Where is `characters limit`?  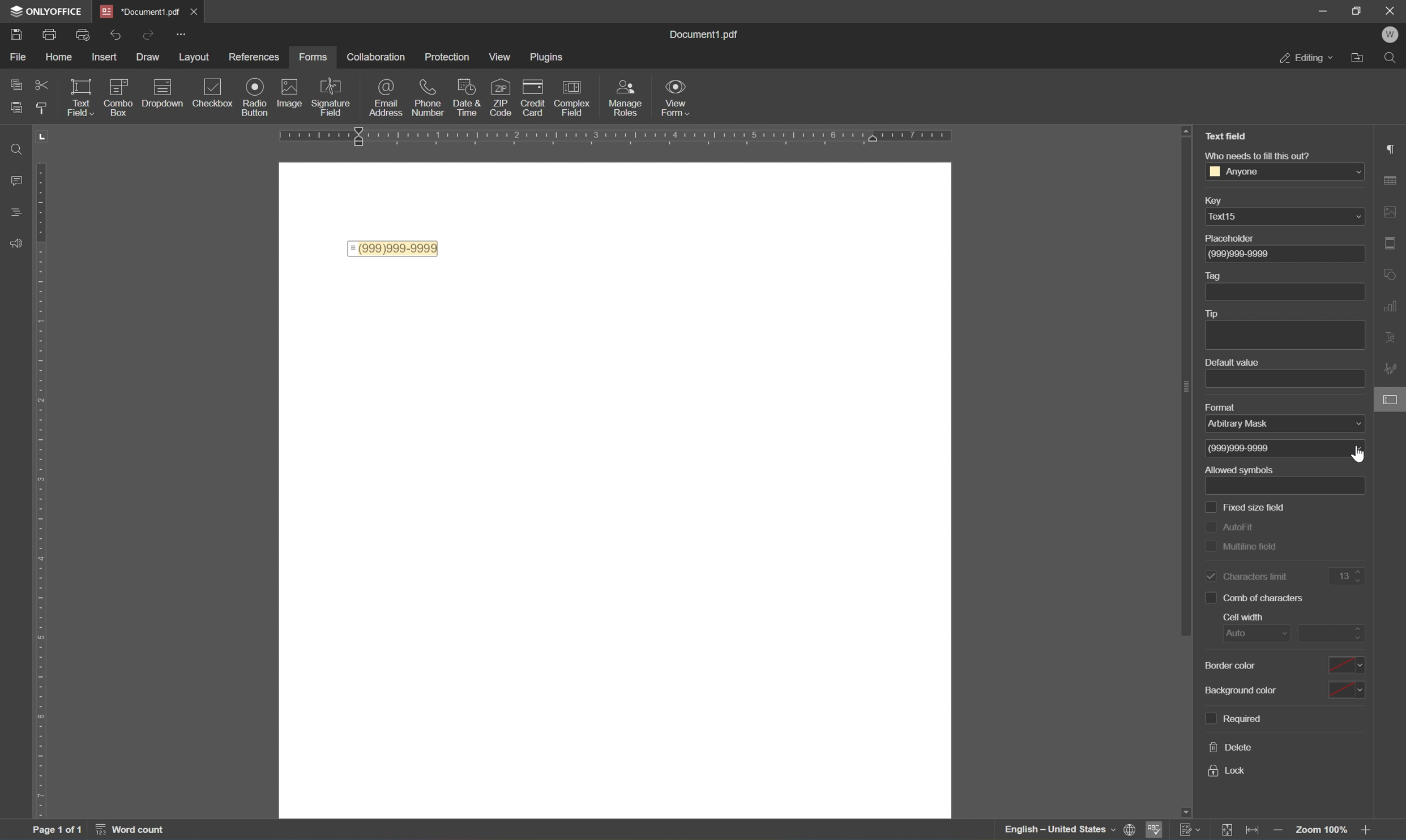
characters limit is located at coordinates (1247, 576).